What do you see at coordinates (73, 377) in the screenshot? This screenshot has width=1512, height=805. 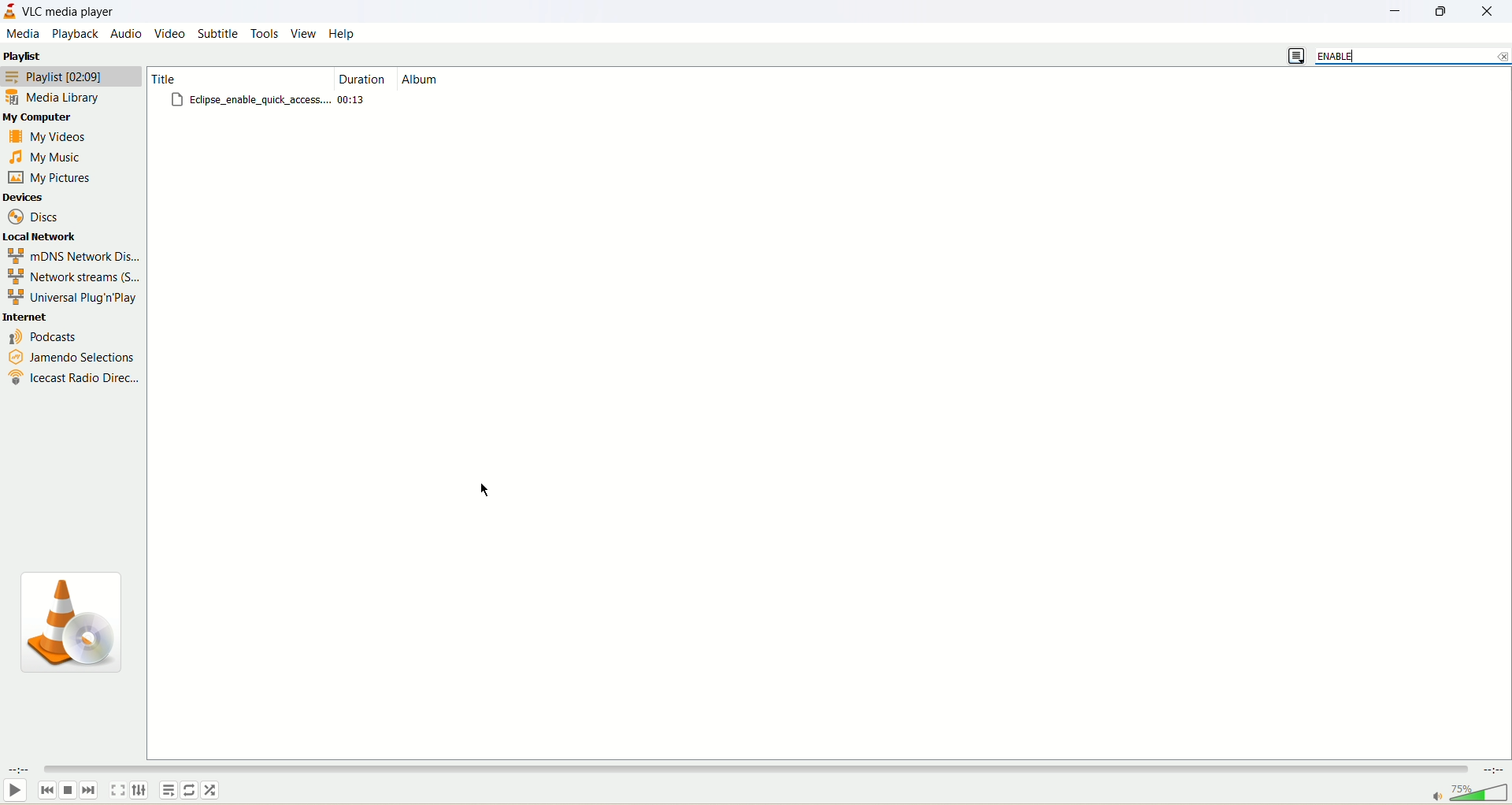 I see `icecast radio direc...` at bounding box center [73, 377].